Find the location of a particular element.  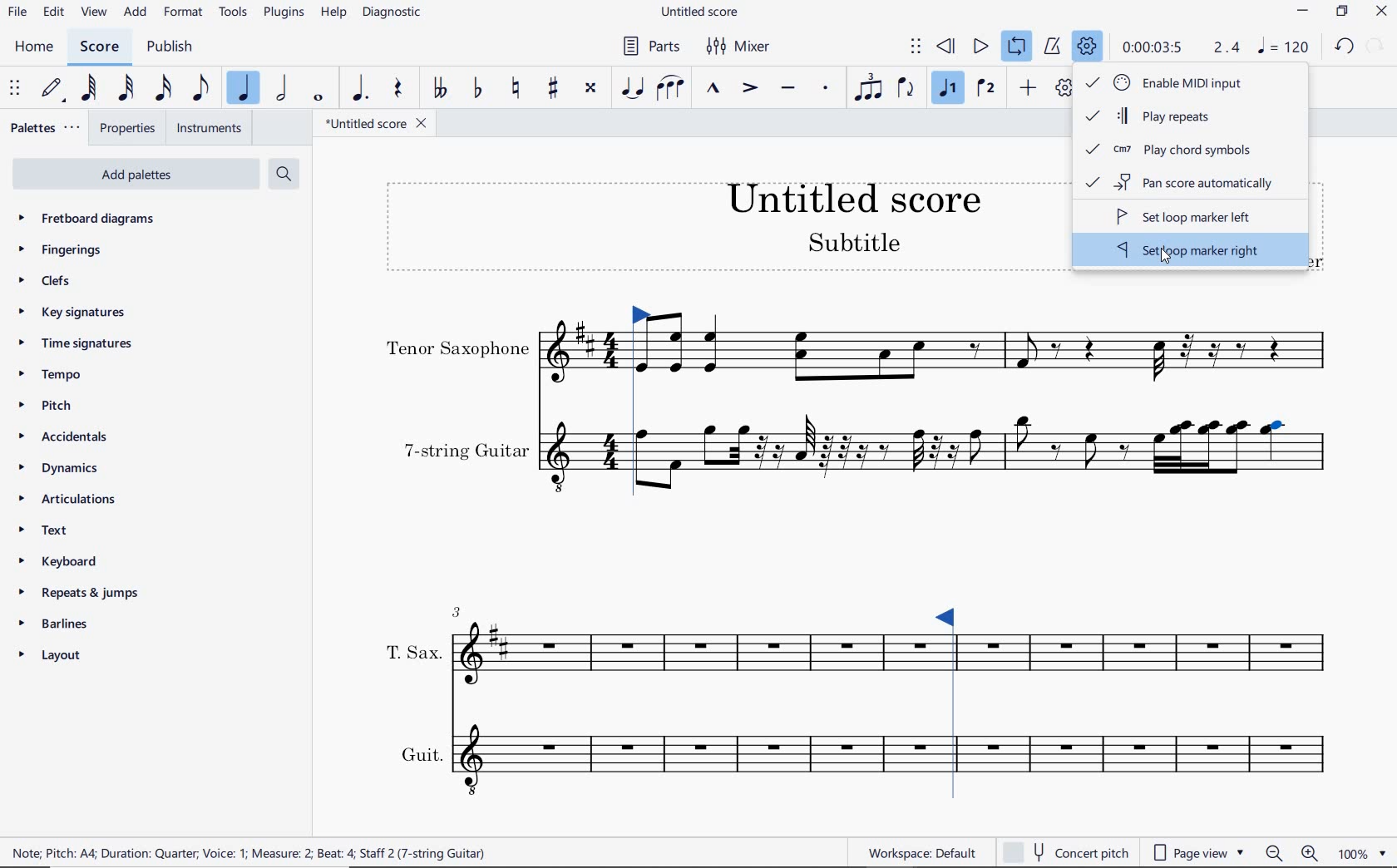

EIGHTH NOTE is located at coordinates (200, 89).